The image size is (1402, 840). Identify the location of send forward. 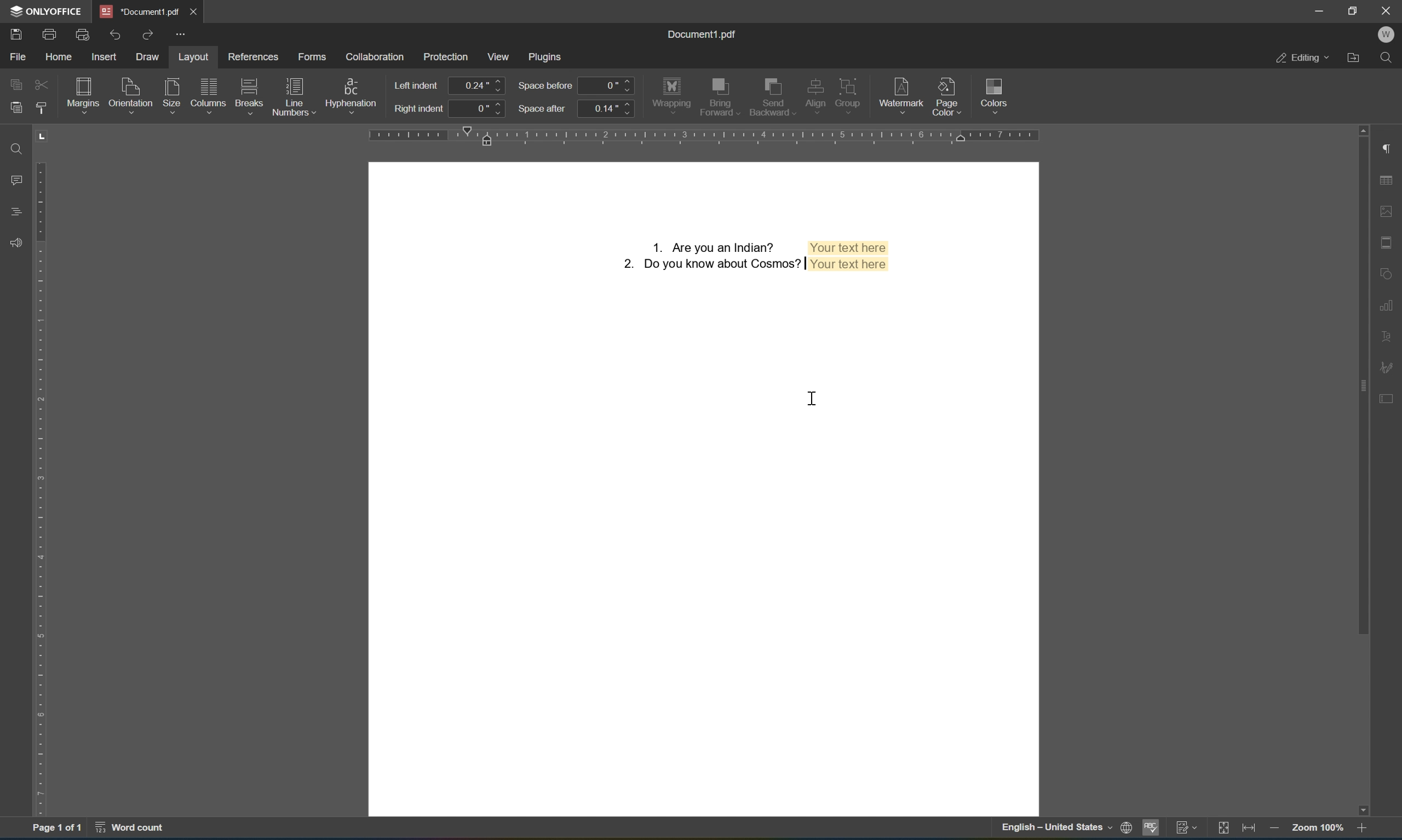
(721, 97).